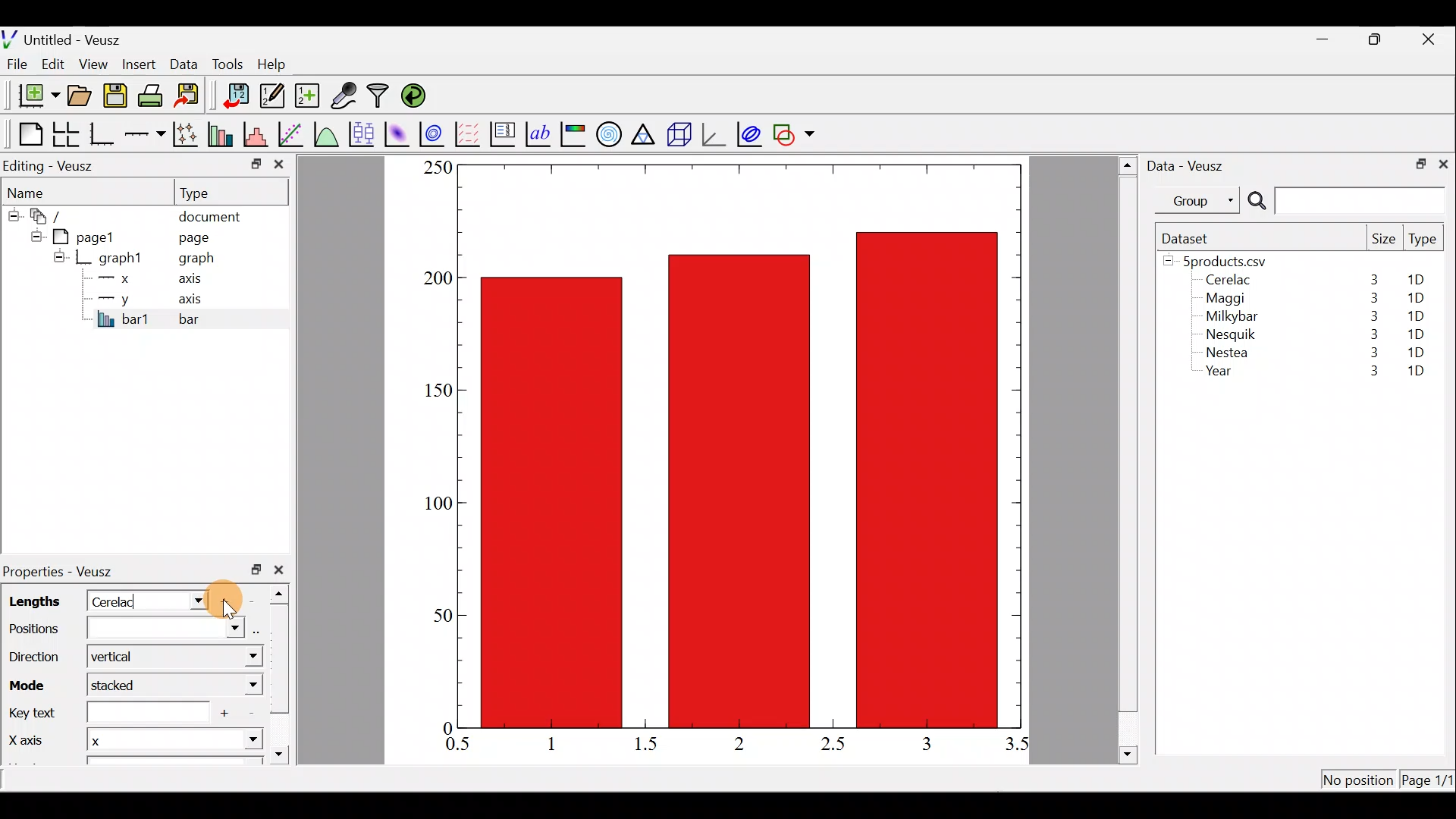 The image size is (1456, 819). Describe the element at coordinates (458, 746) in the screenshot. I see `0.5` at that location.